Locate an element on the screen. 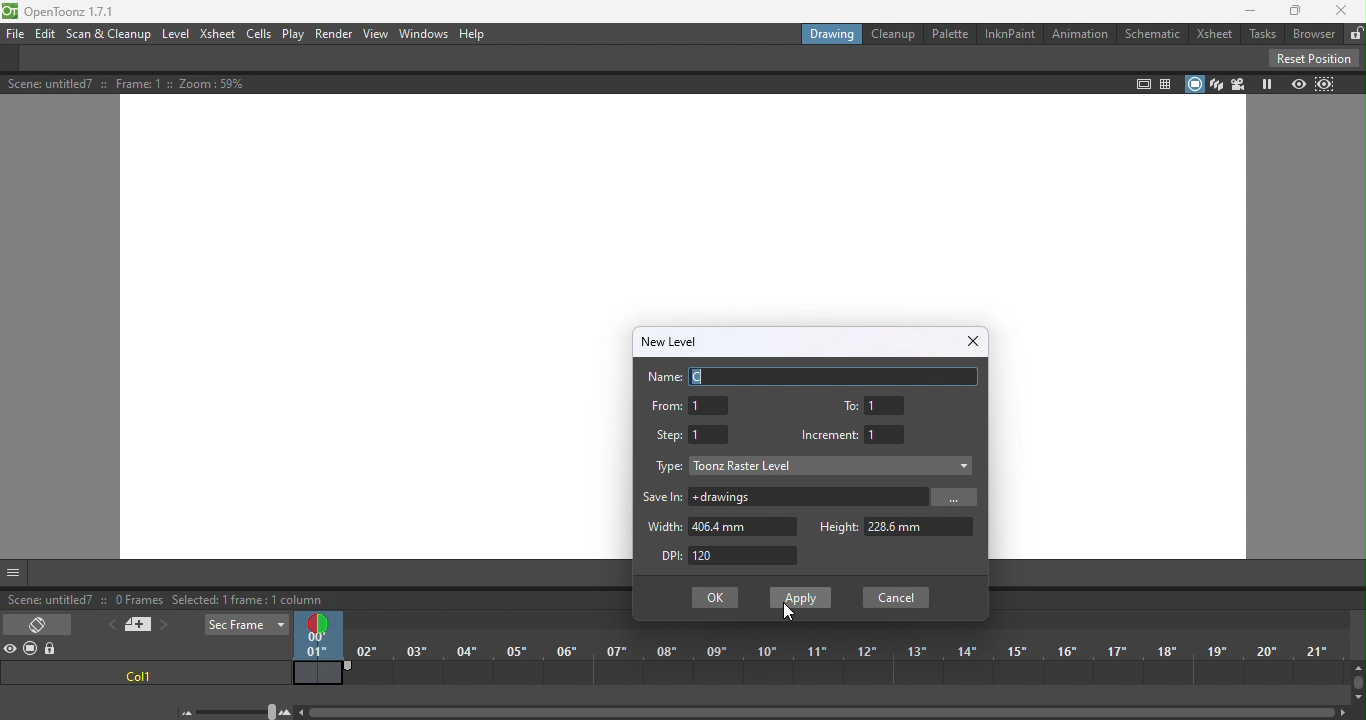  Browser is located at coordinates (1311, 35).